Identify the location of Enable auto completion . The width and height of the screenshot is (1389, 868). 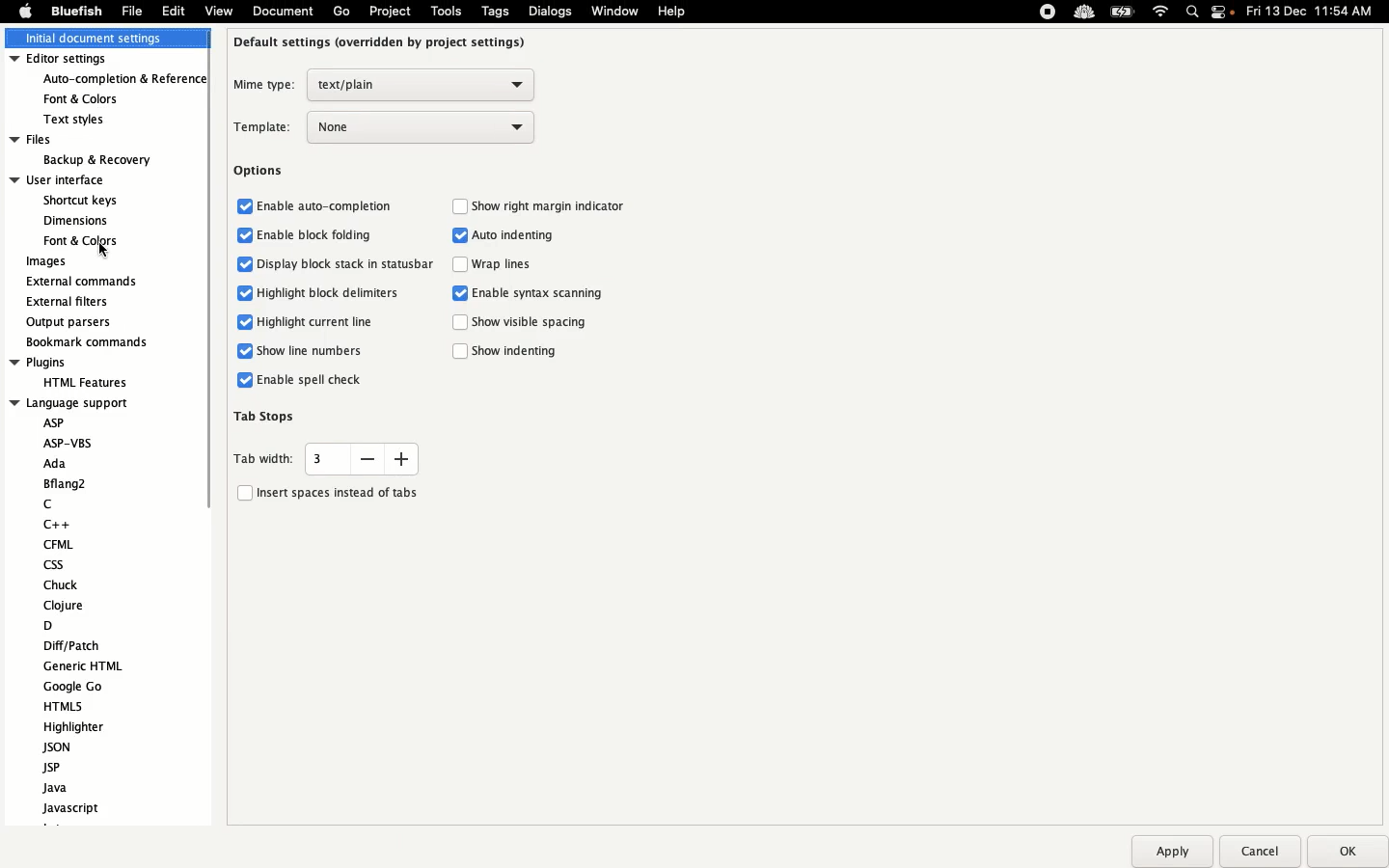
(316, 204).